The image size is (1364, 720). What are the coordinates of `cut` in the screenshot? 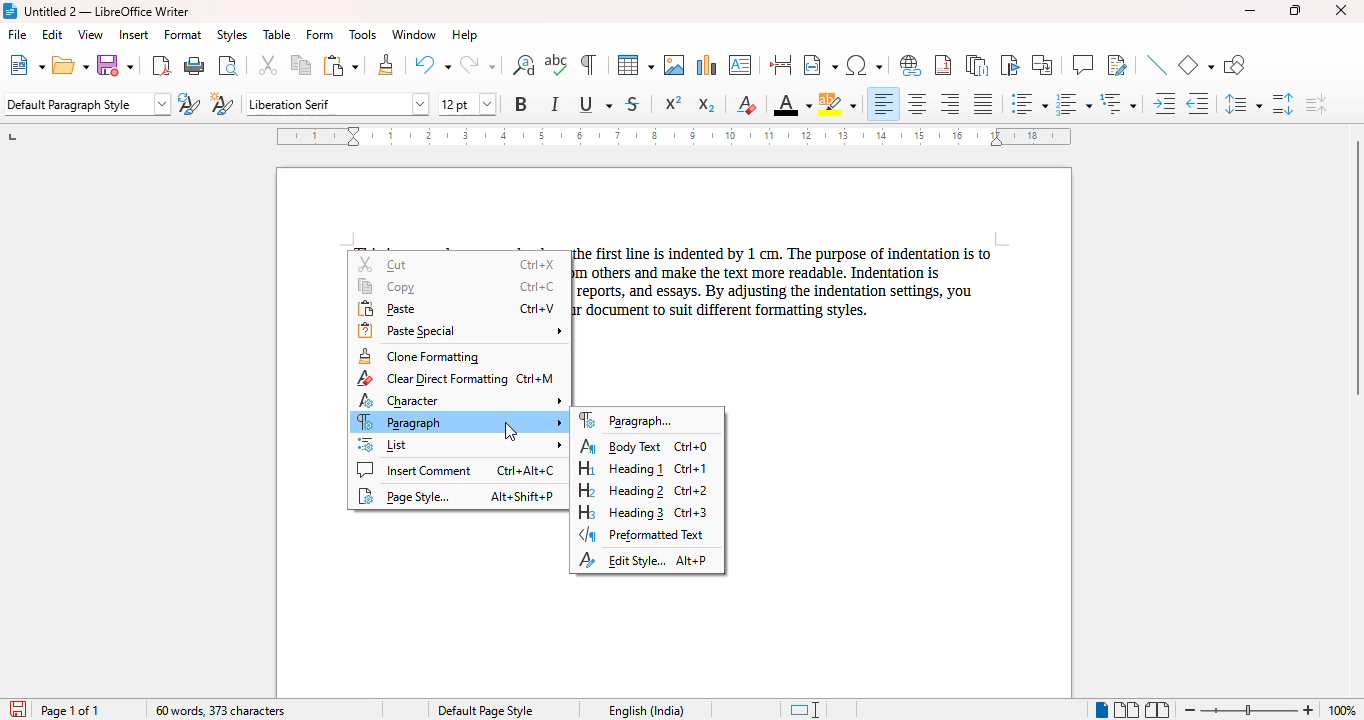 It's located at (269, 65).